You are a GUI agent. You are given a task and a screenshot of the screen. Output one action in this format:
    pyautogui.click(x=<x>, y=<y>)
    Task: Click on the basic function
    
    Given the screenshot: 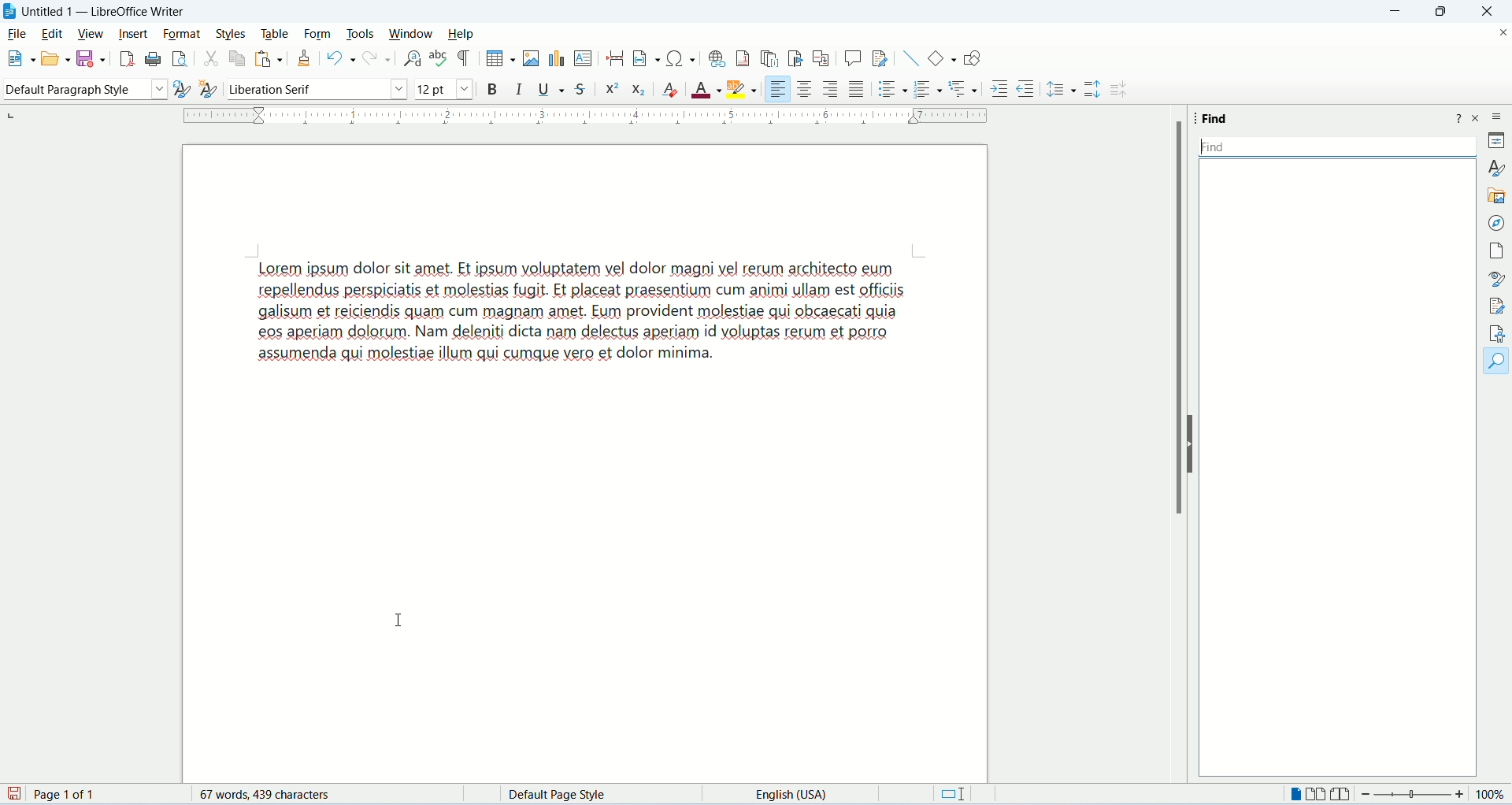 What is the action you would take?
    pyautogui.click(x=942, y=57)
    